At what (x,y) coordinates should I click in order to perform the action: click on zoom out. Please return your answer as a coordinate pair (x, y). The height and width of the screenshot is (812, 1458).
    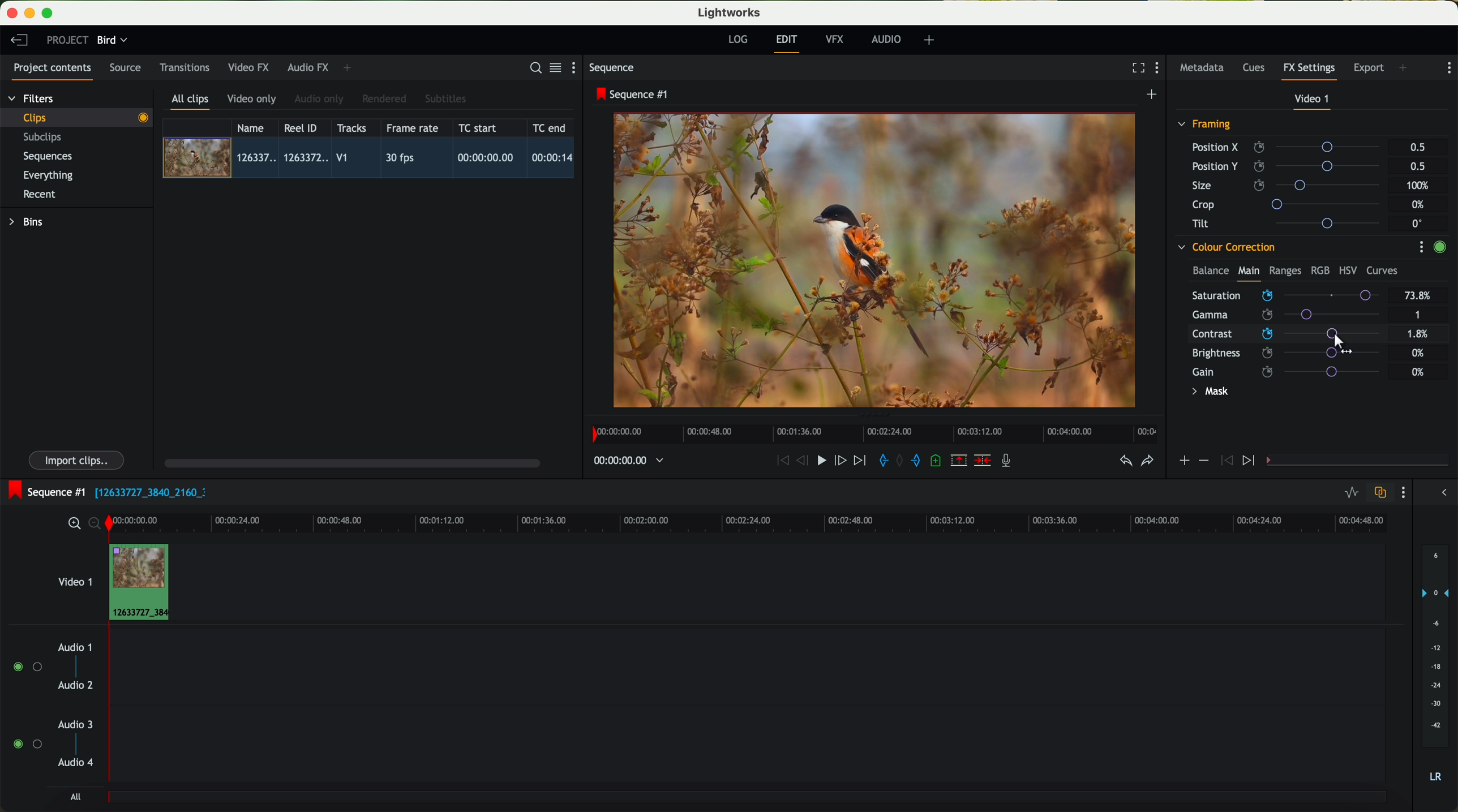
    Looking at the image, I should click on (96, 525).